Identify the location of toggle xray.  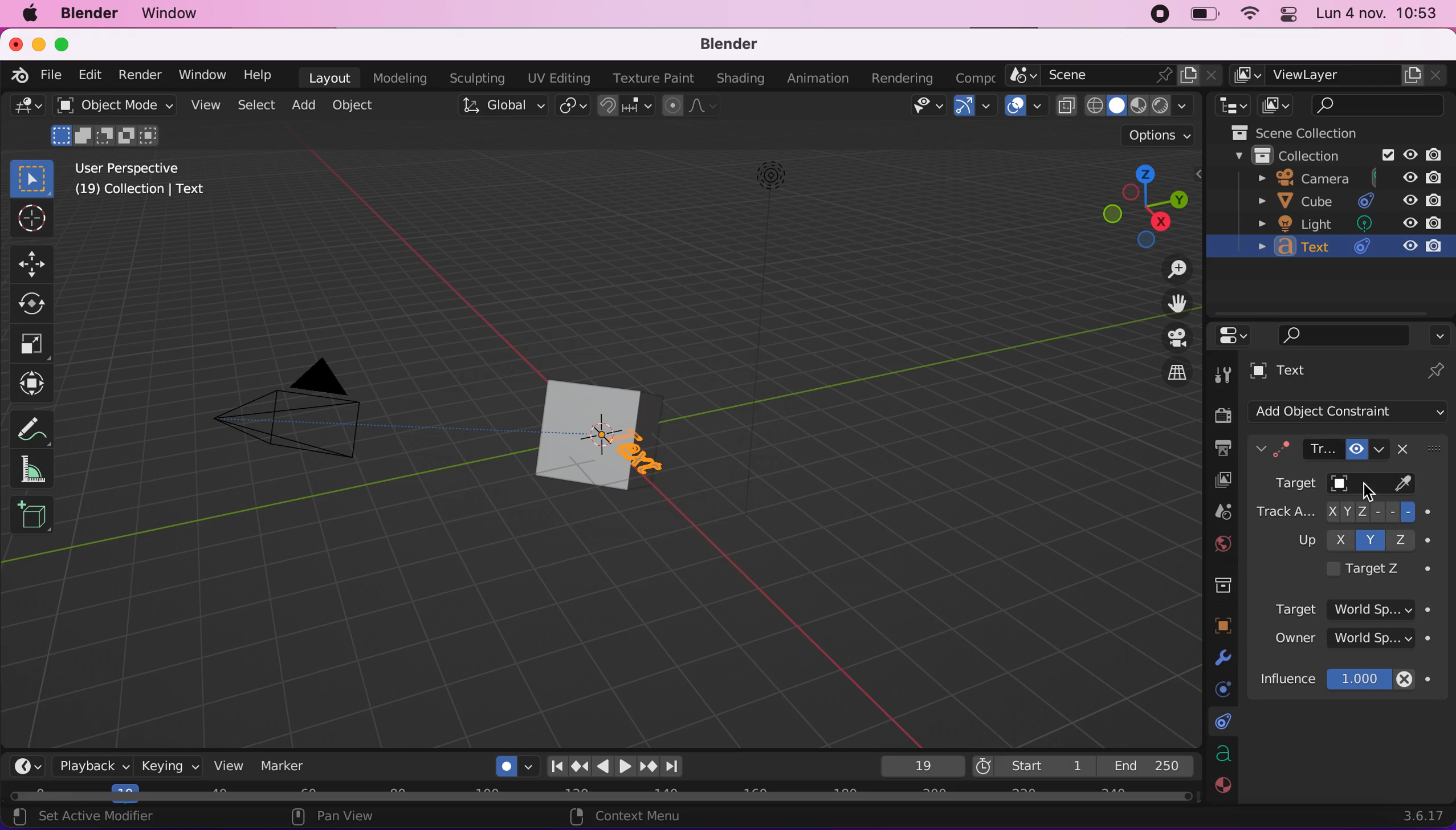
(1066, 112).